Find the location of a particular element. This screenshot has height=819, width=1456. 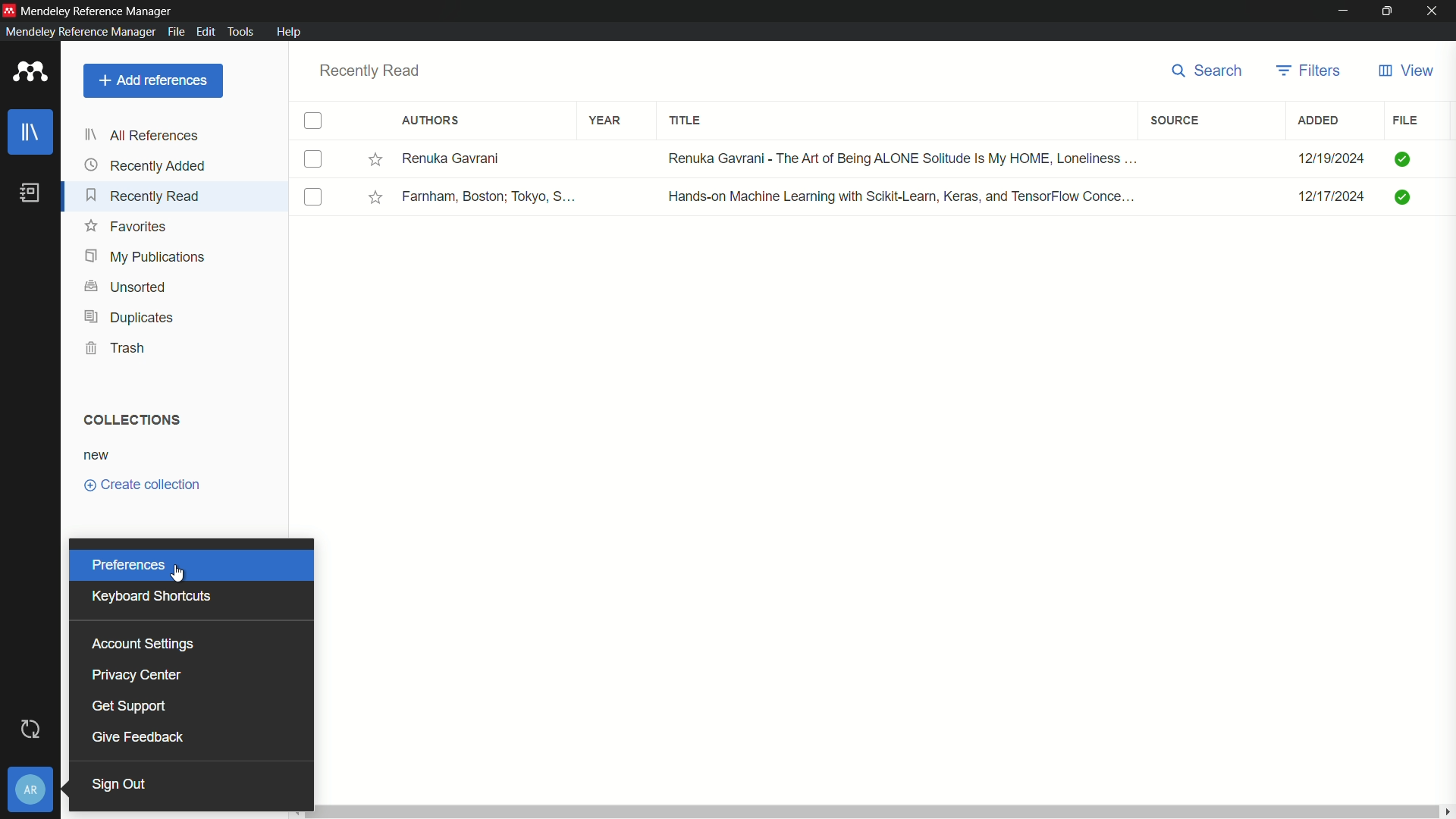

year is located at coordinates (605, 119).